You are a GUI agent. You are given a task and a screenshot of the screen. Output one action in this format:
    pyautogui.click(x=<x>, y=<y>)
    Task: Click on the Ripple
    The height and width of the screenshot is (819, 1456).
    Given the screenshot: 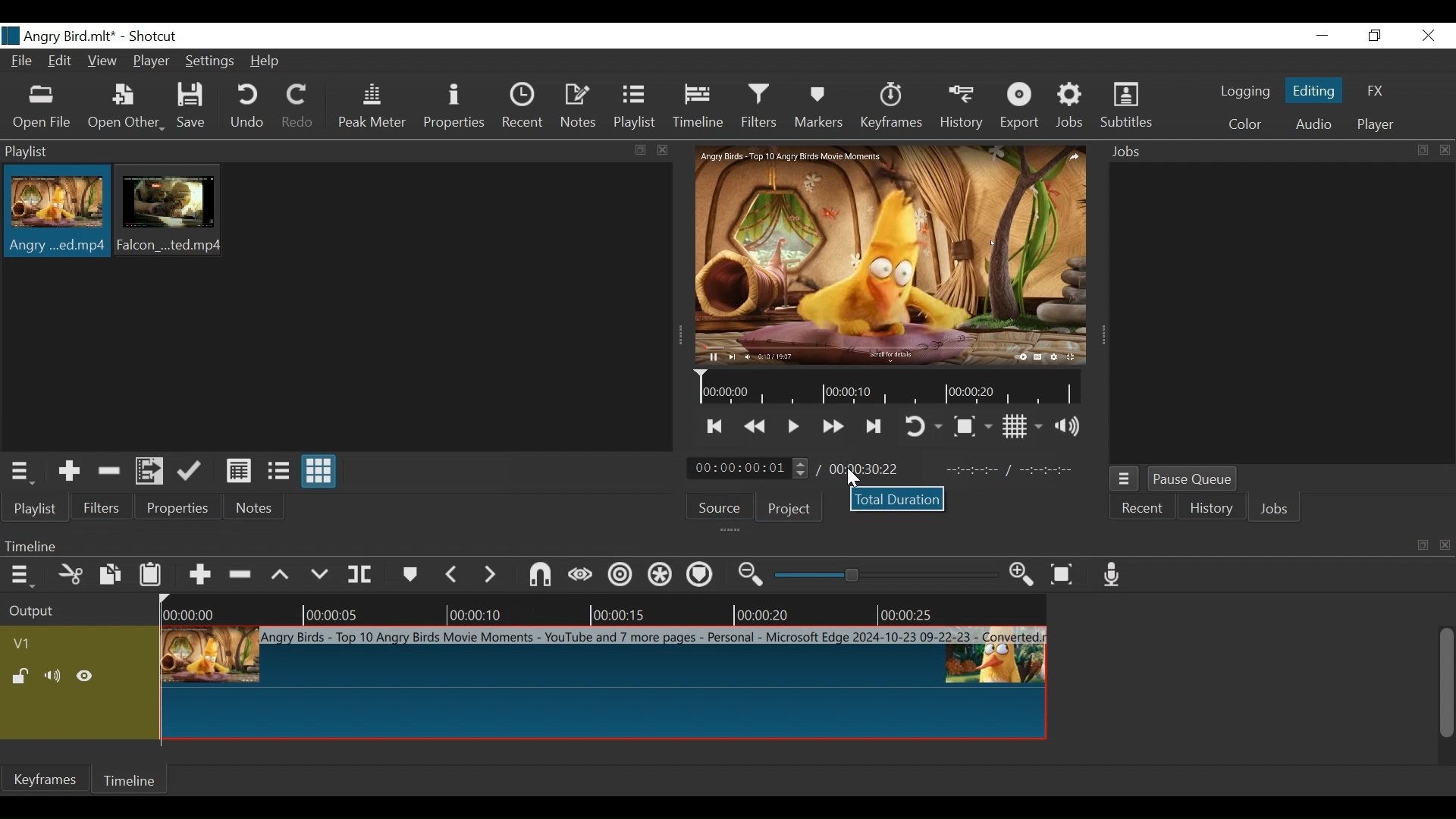 What is the action you would take?
    pyautogui.click(x=620, y=576)
    